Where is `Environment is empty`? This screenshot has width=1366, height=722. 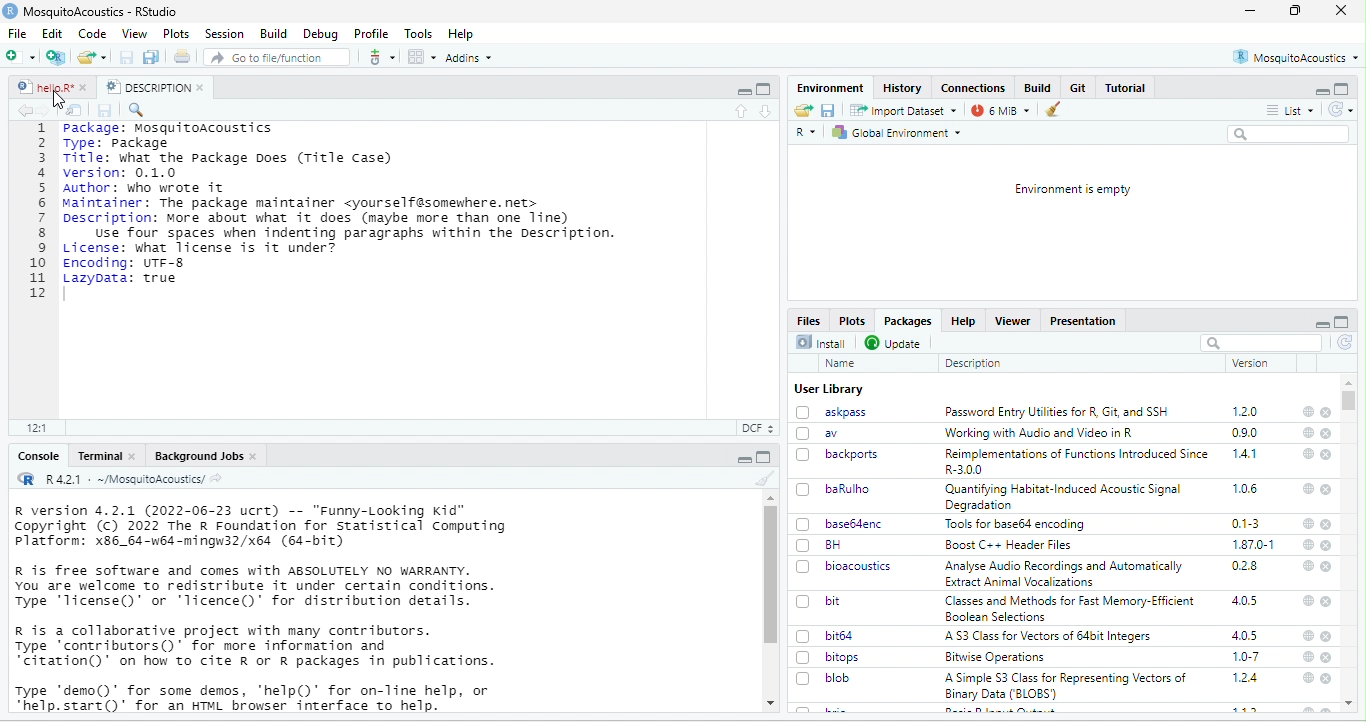
Environment is empty is located at coordinates (1072, 189).